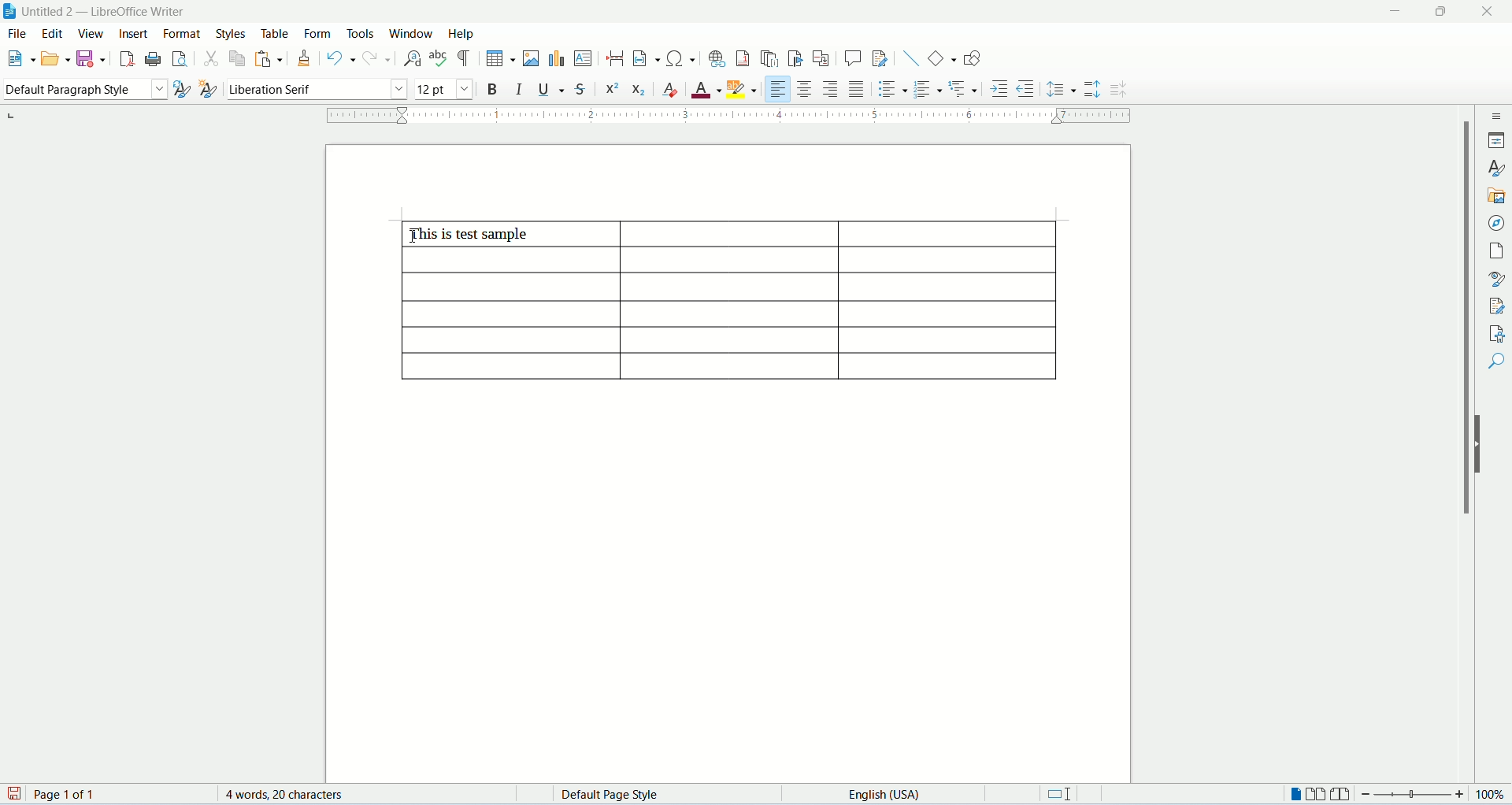  Describe the element at coordinates (1498, 169) in the screenshot. I see `styles` at that location.